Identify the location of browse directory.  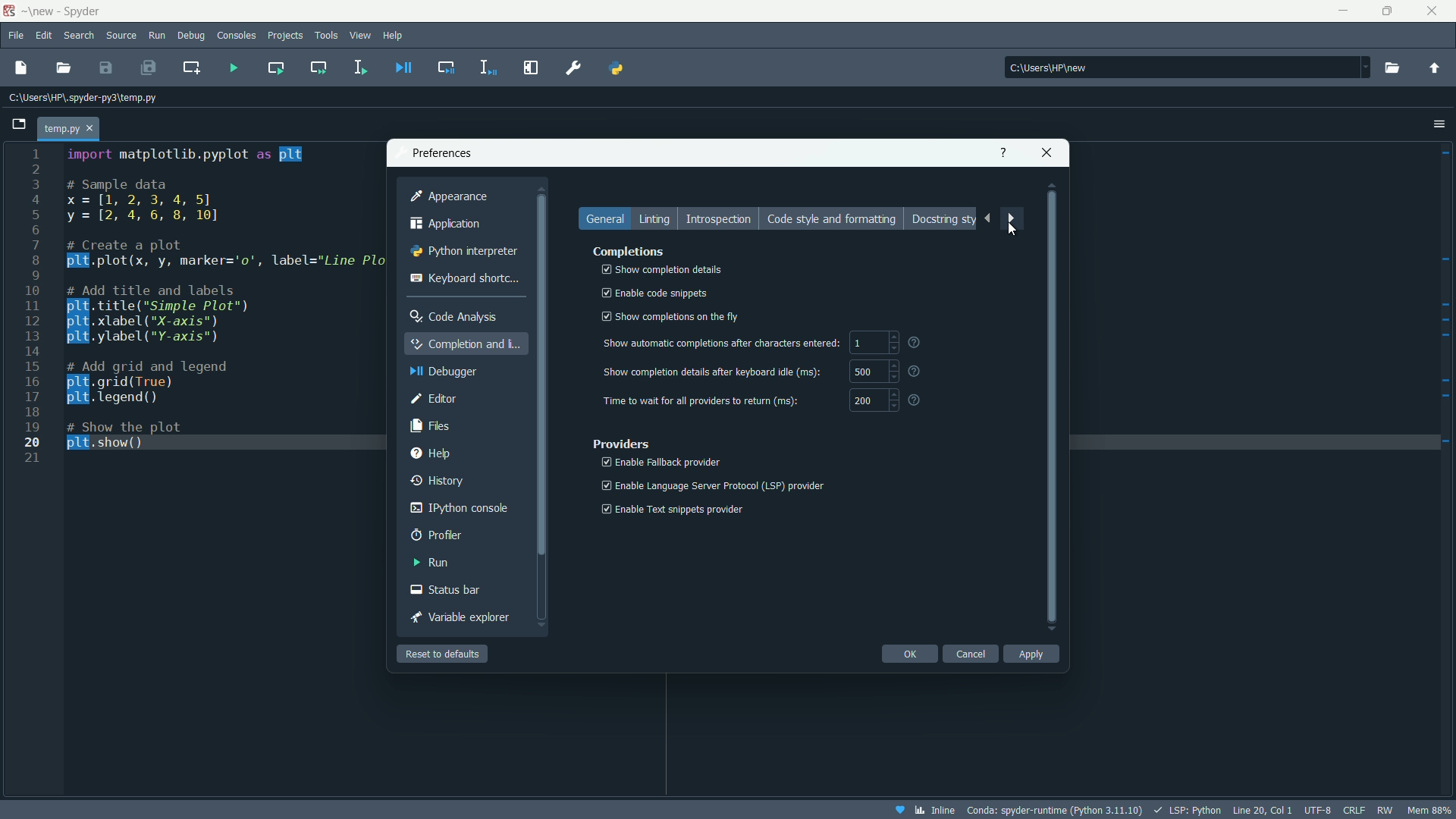
(1392, 67).